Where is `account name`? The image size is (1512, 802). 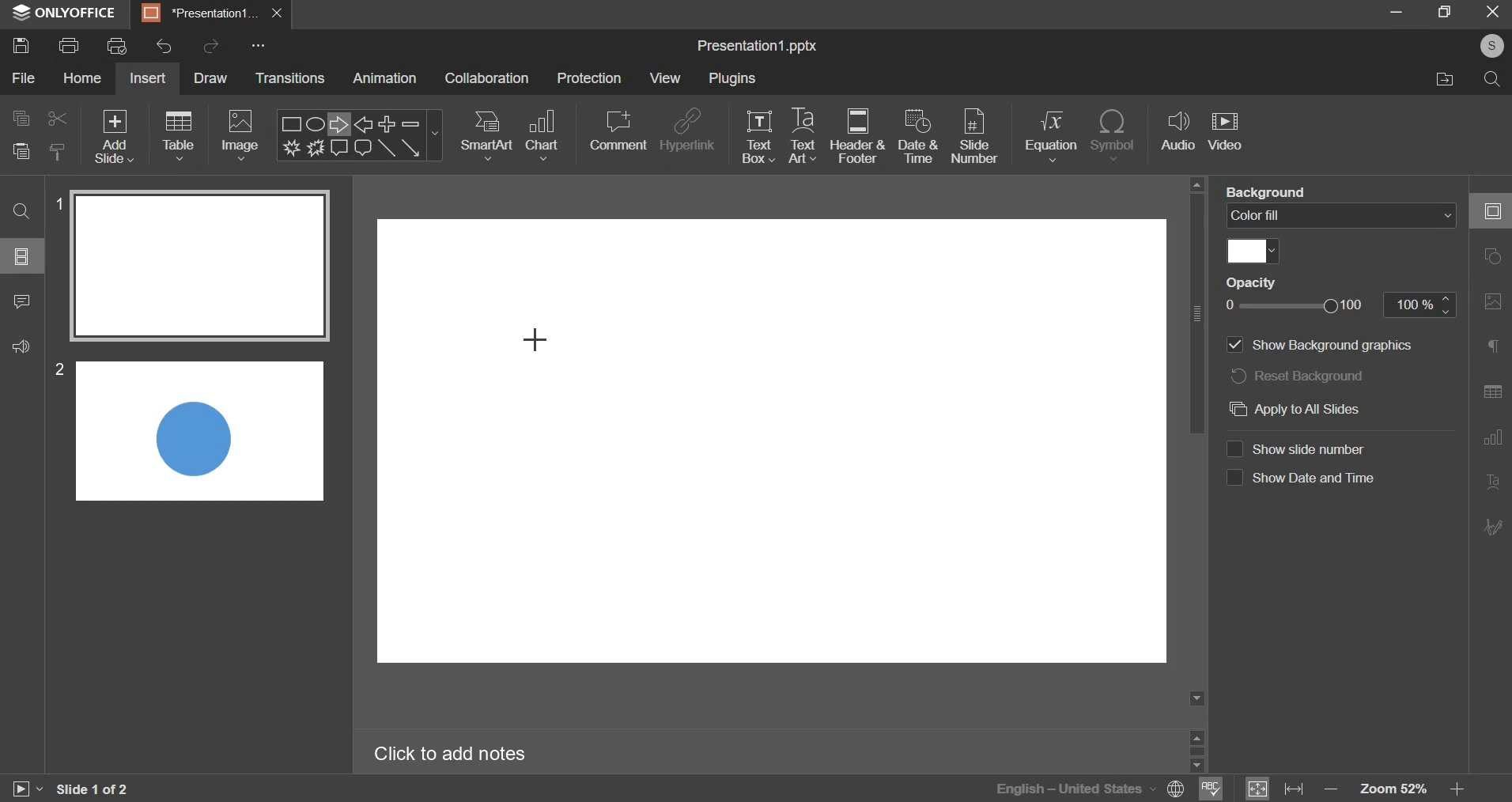
account name is located at coordinates (1491, 46).